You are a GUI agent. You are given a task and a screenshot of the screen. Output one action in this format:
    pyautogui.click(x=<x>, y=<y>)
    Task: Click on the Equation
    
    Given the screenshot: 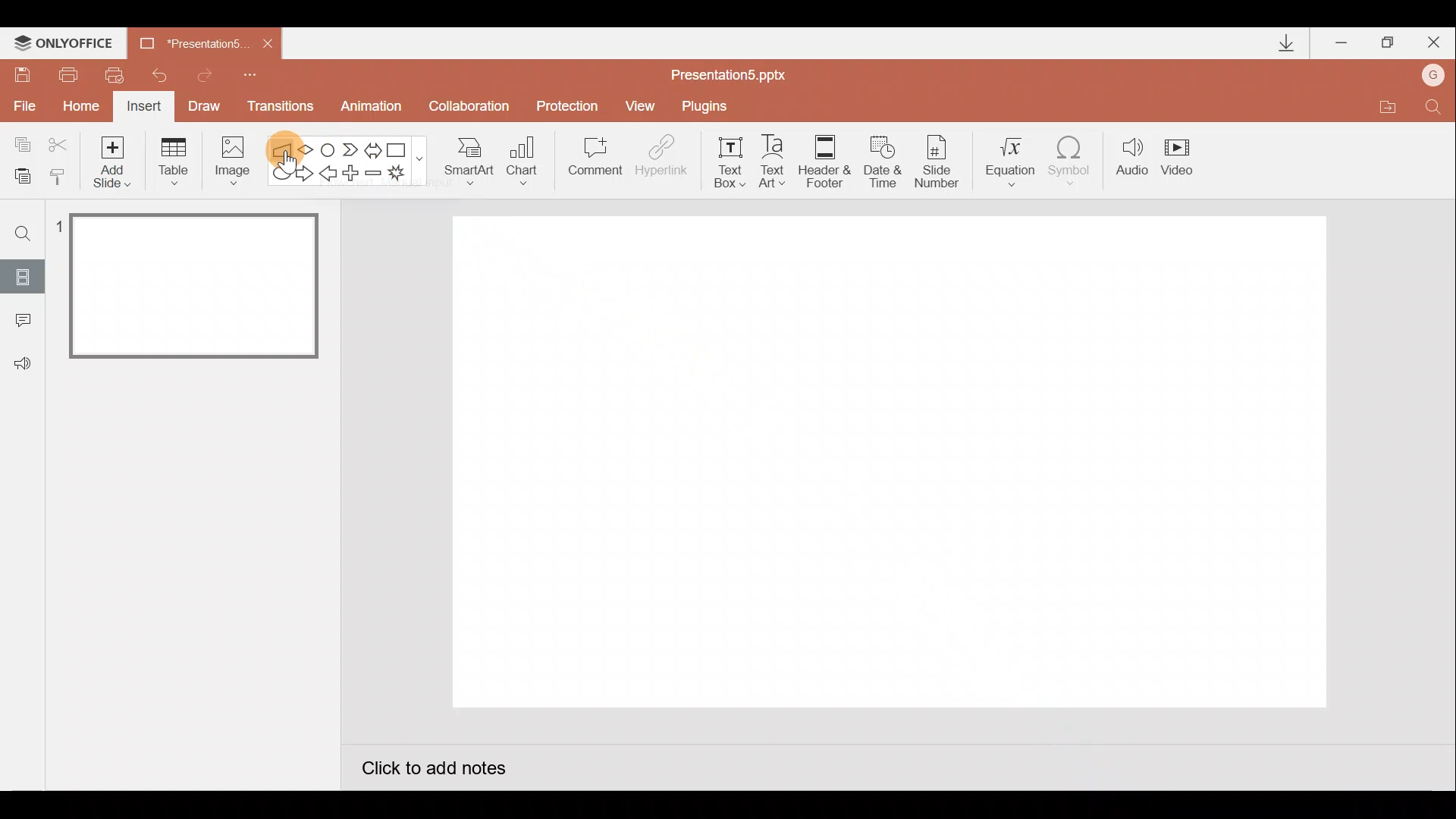 What is the action you would take?
    pyautogui.click(x=1013, y=159)
    